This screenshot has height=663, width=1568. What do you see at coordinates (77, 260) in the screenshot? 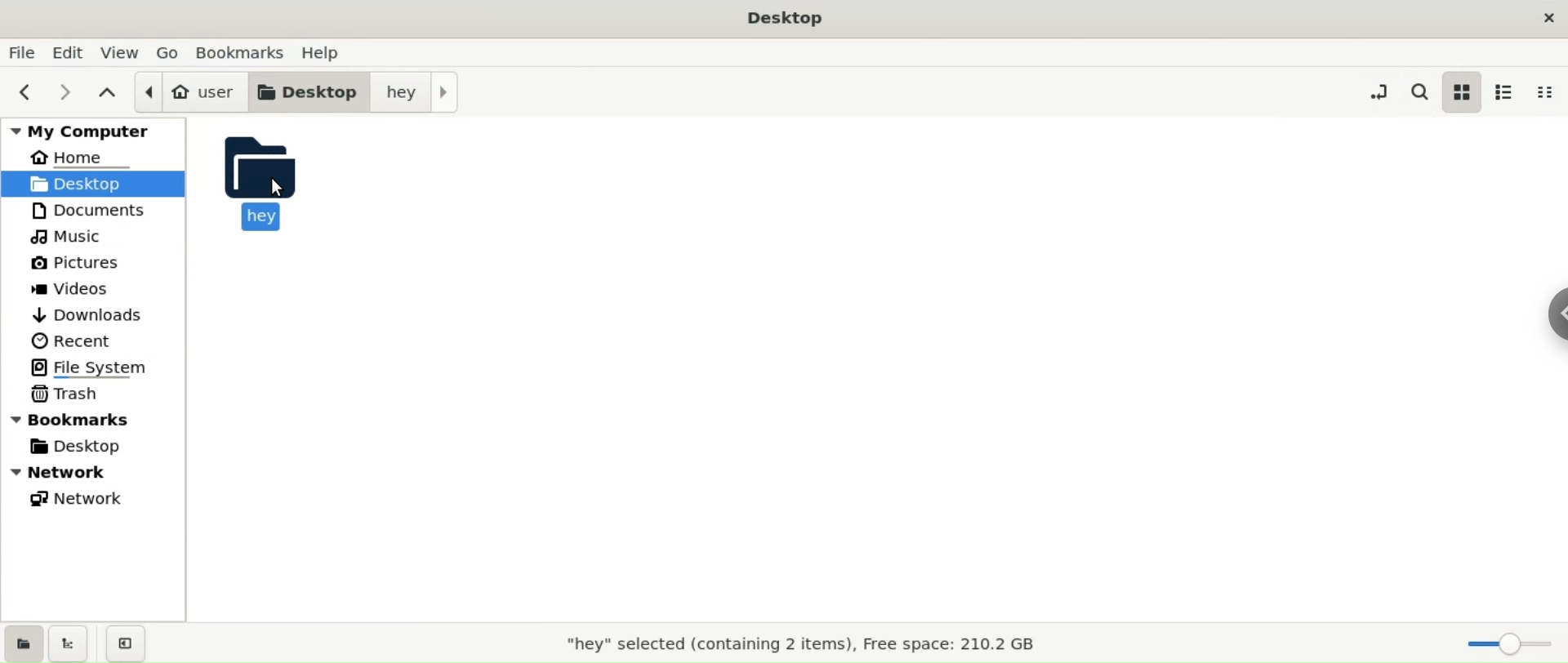
I see `pictures` at bounding box center [77, 260].